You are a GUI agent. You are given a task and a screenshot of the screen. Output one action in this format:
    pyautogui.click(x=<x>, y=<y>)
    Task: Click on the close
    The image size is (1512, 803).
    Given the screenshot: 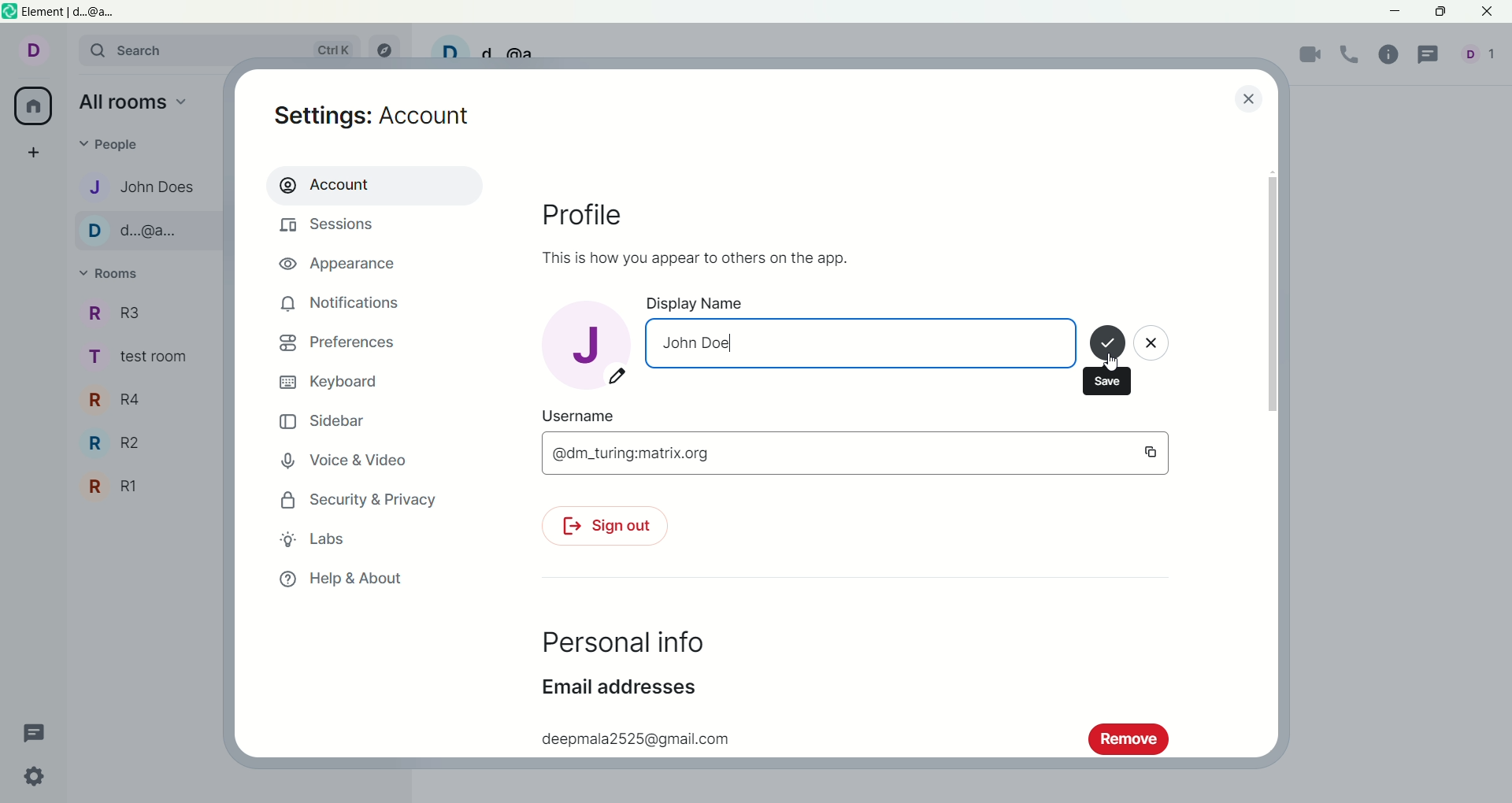 What is the action you would take?
    pyautogui.click(x=1154, y=346)
    